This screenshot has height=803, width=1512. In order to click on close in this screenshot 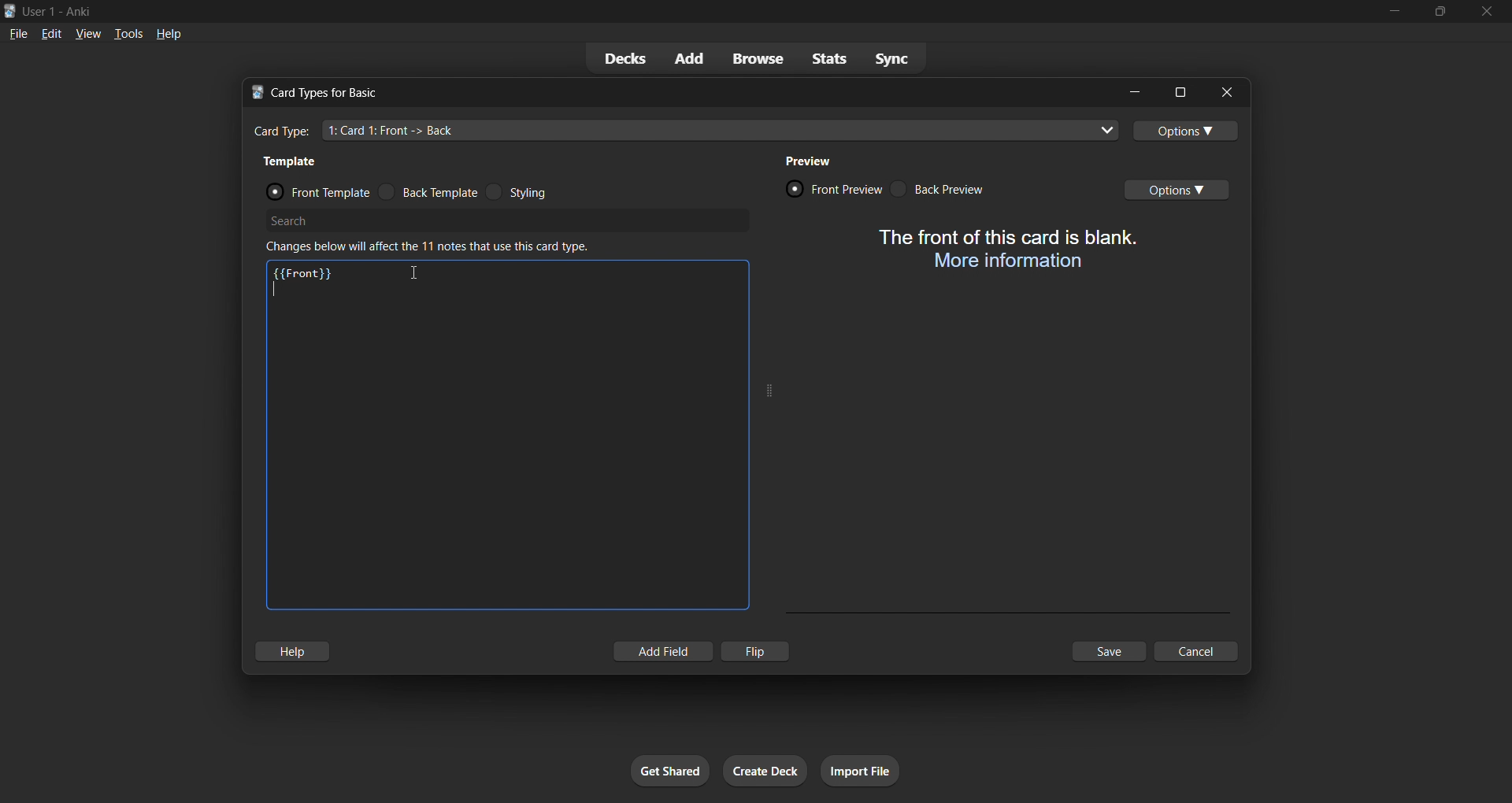, I will do `click(1487, 12)`.